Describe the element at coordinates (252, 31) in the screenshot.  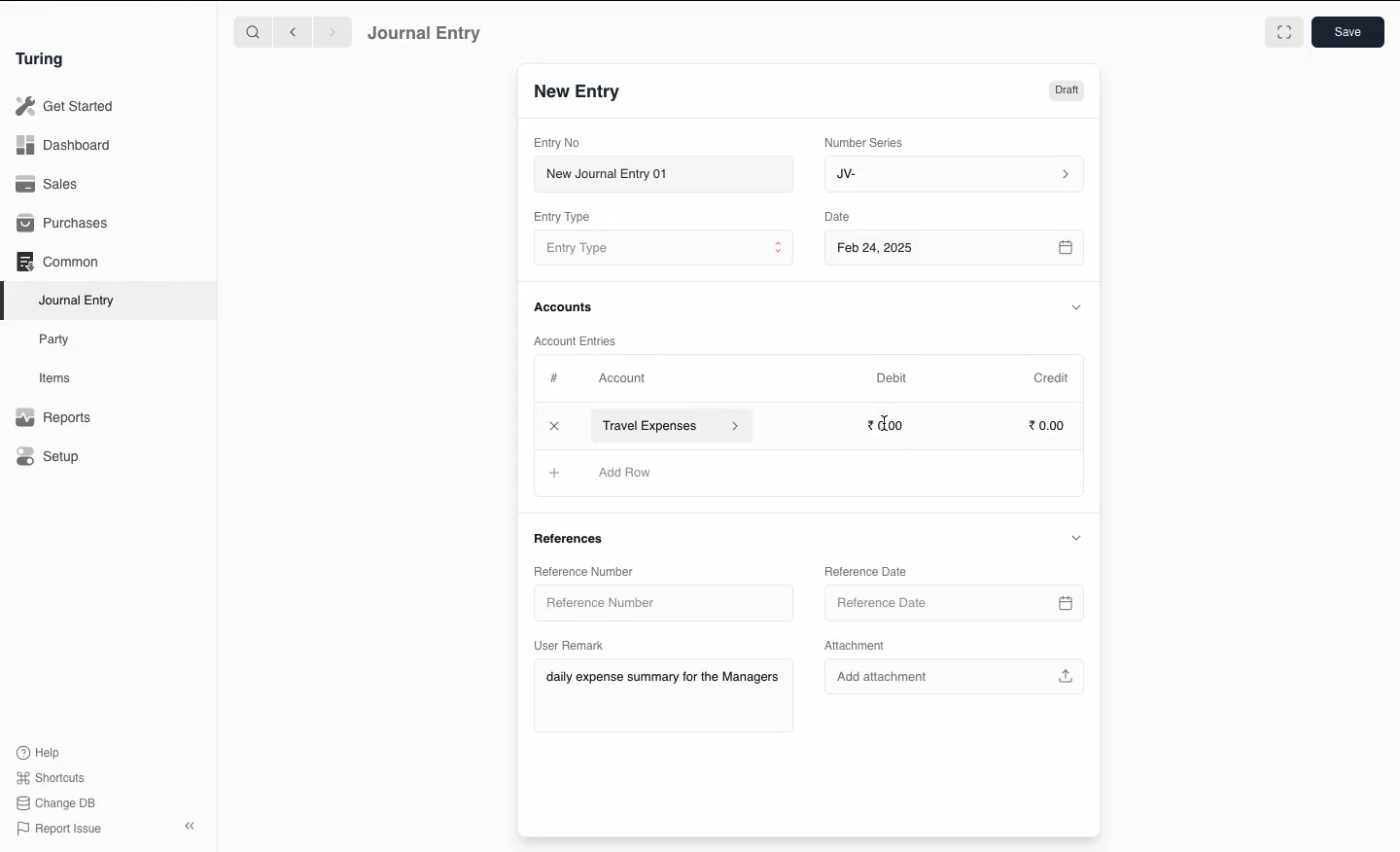
I see `Search` at that location.